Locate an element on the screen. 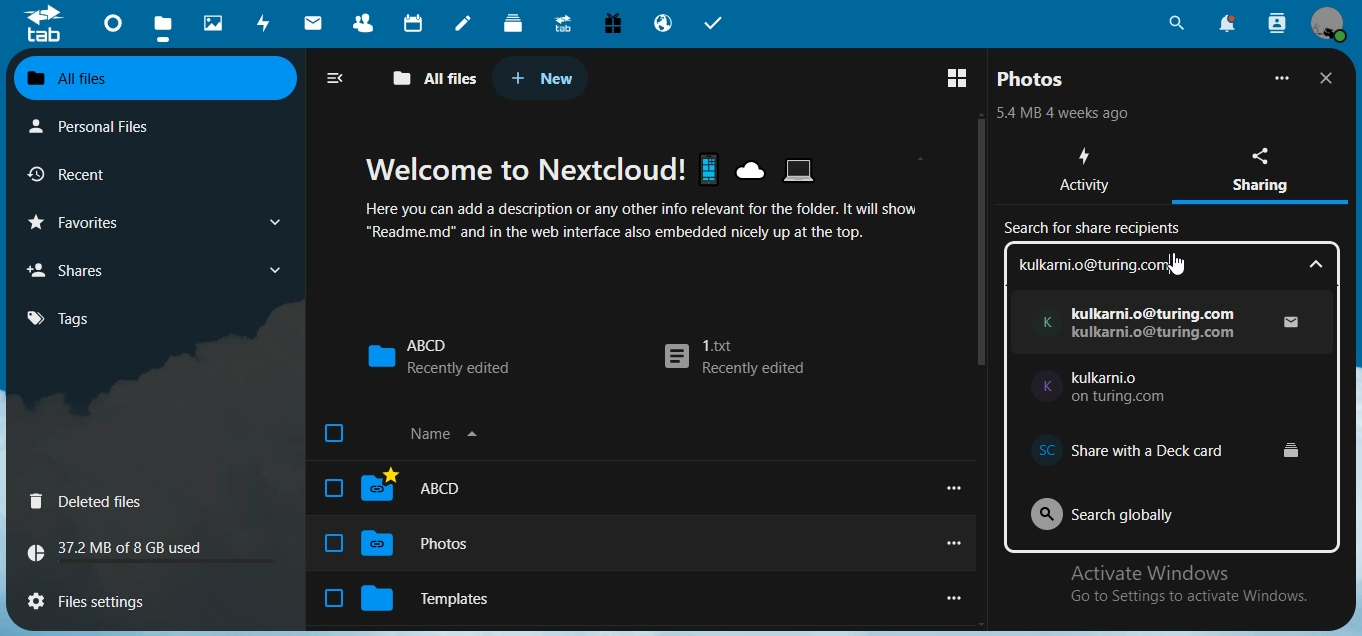  tasks is located at coordinates (715, 24).